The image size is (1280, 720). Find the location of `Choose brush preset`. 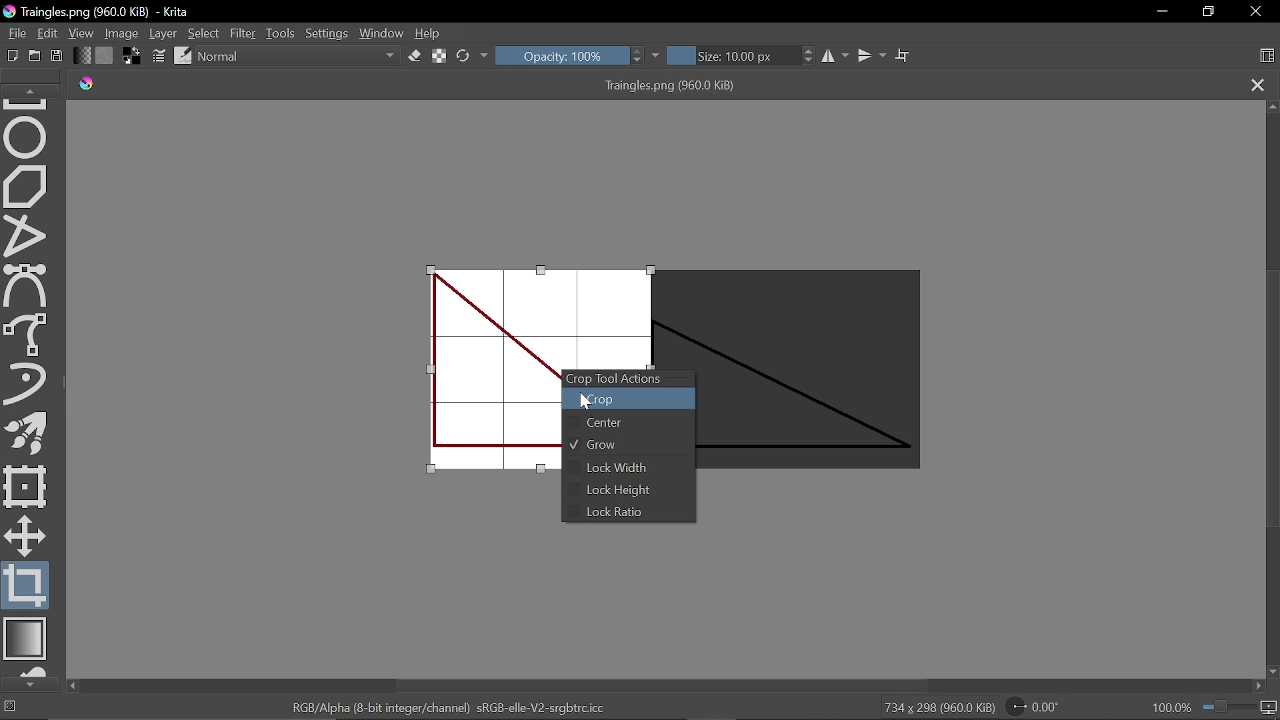

Choose brush preset is located at coordinates (182, 56).